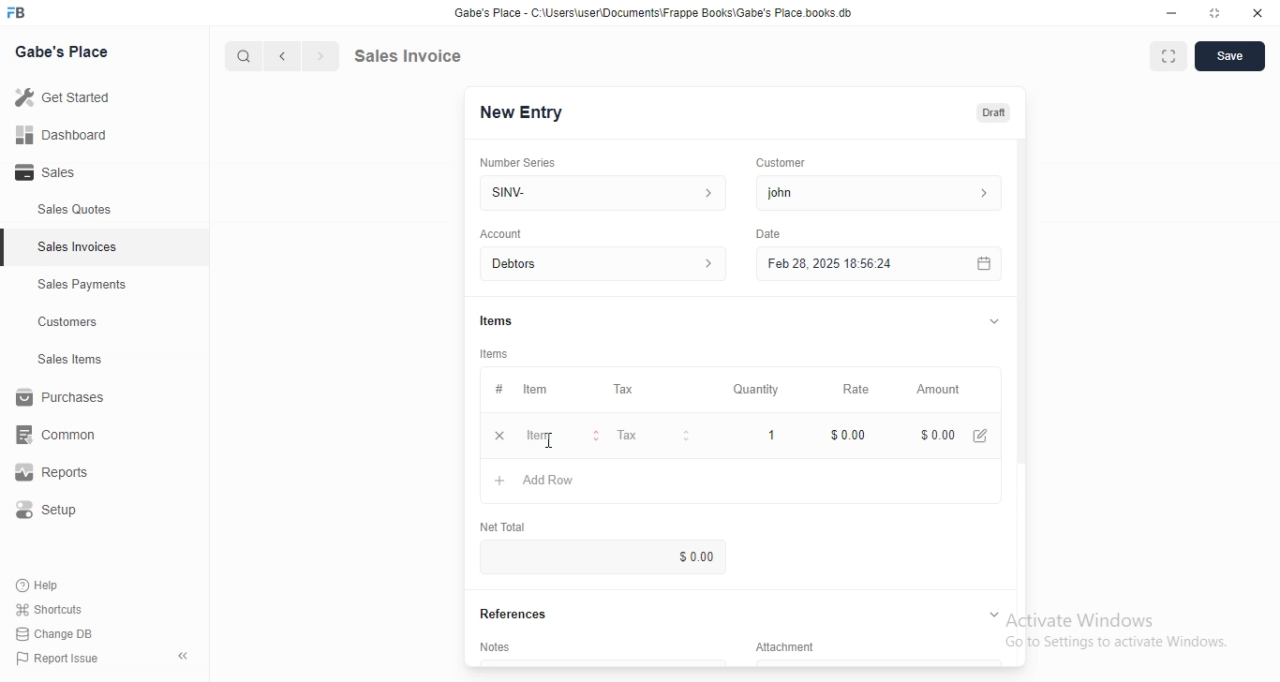 The width and height of the screenshot is (1280, 682). Describe the element at coordinates (935, 436) in the screenshot. I see `$0.00` at that location.